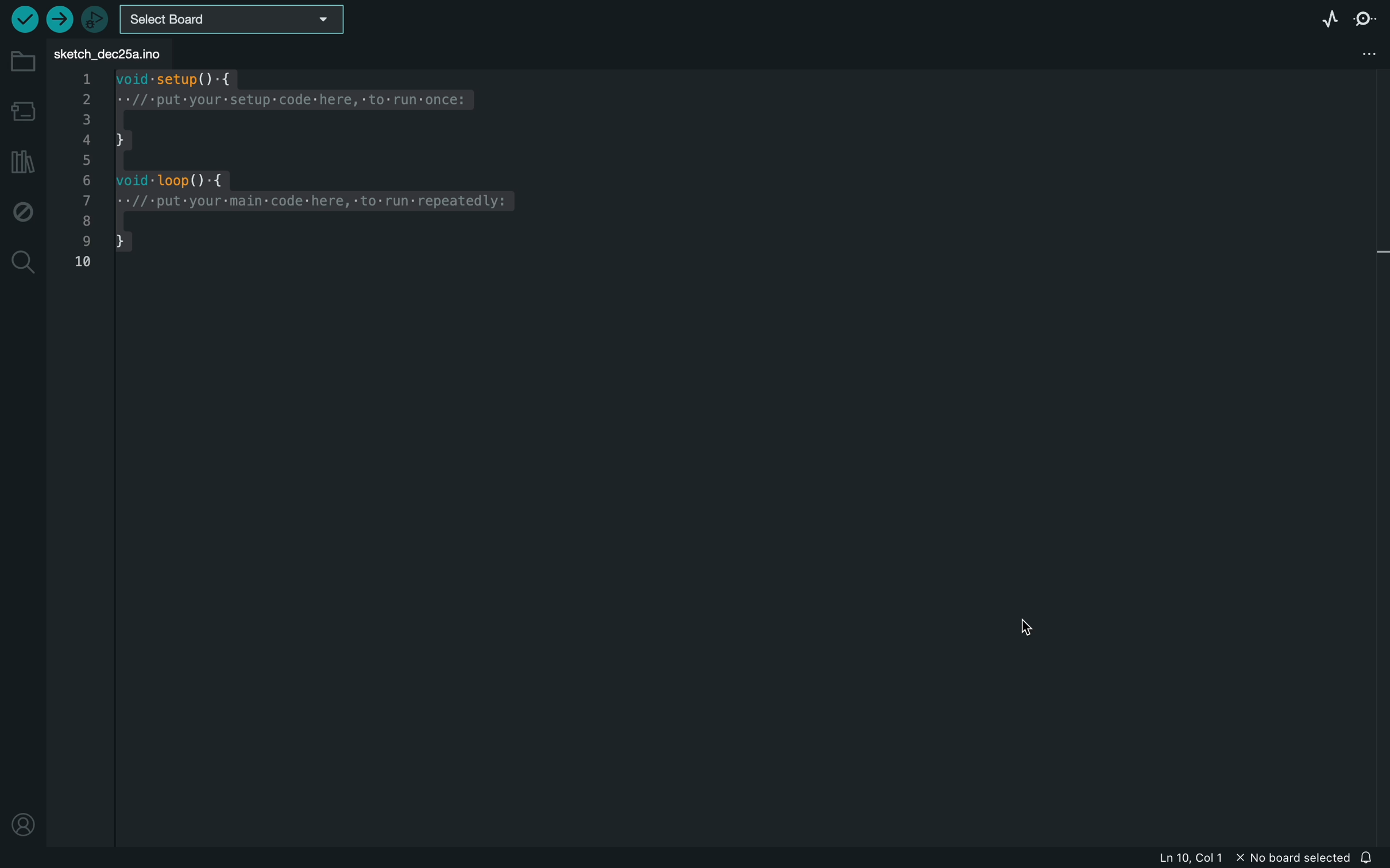 Image resolution: width=1390 pixels, height=868 pixels. Describe the element at coordinates (1329, 17) in the screenshot. I see `serial  plotter` at that location.